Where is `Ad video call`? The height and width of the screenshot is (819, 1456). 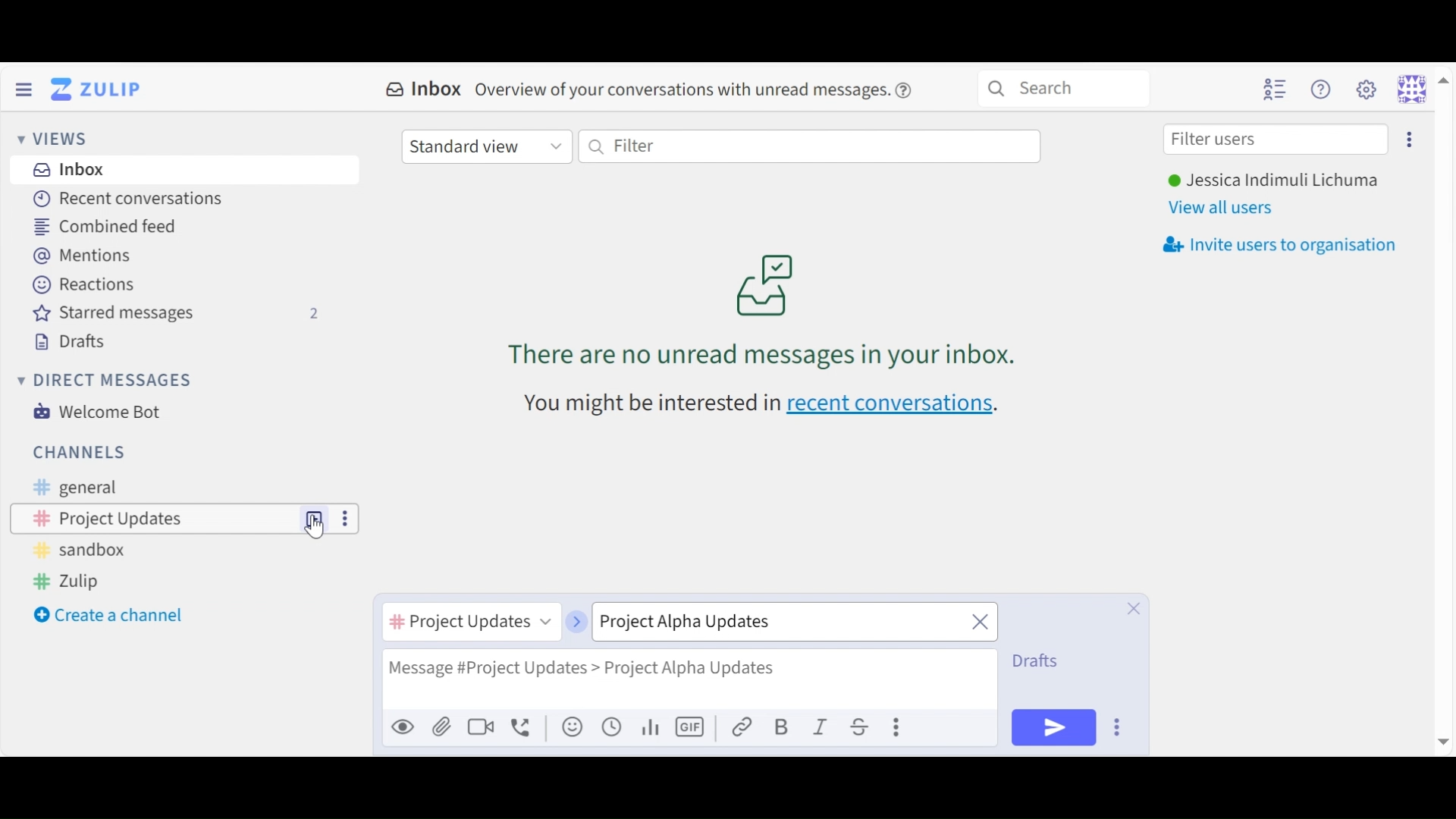
Ad video call is located at coordinates (480, 726).